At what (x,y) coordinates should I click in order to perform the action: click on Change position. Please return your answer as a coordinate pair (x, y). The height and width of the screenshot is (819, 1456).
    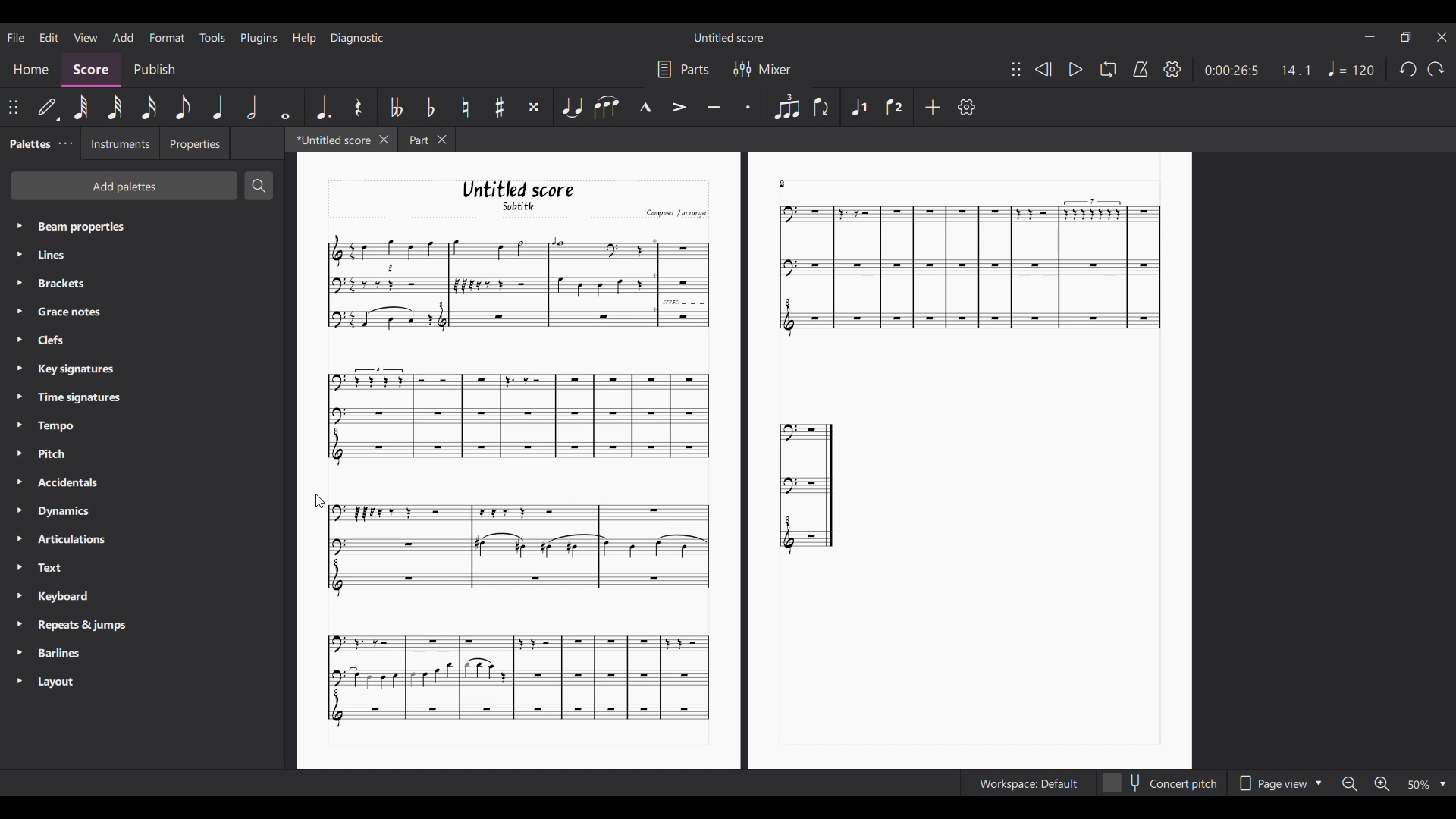
    Looking at the image, I should click on (14, 108).